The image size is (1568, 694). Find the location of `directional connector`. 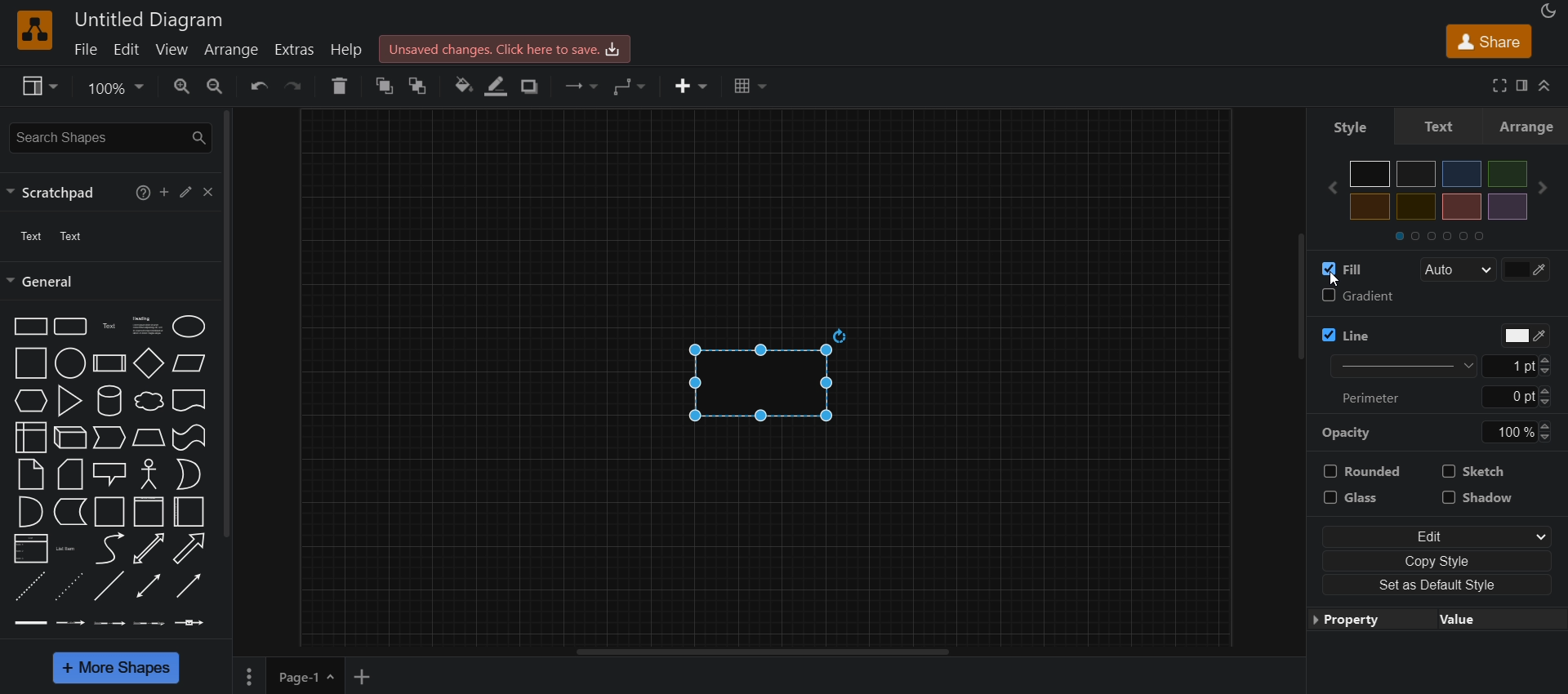

directional connector is located at coordinates (187, 586).